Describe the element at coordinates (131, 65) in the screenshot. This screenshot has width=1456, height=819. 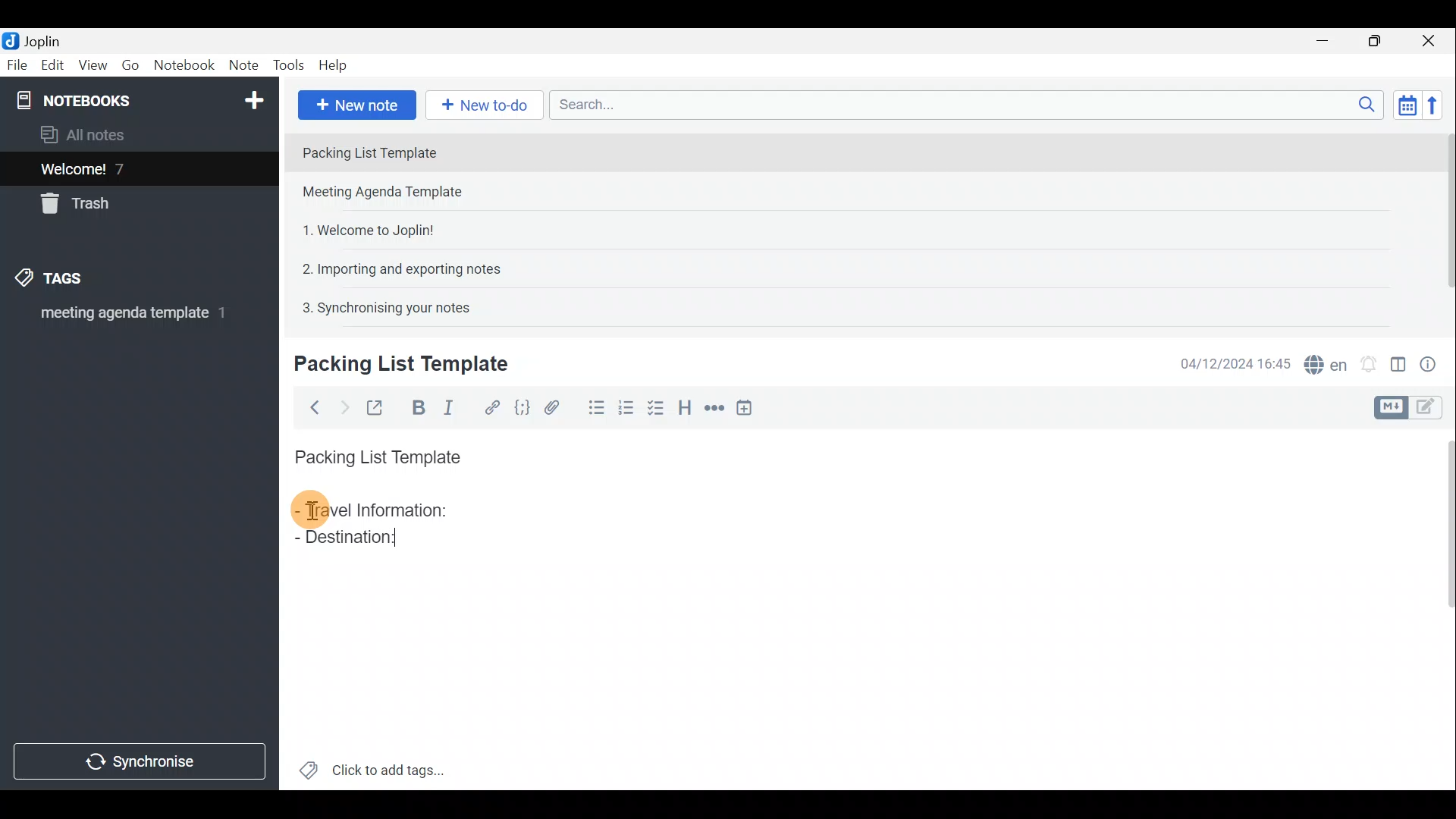
I see `Go` at that location.